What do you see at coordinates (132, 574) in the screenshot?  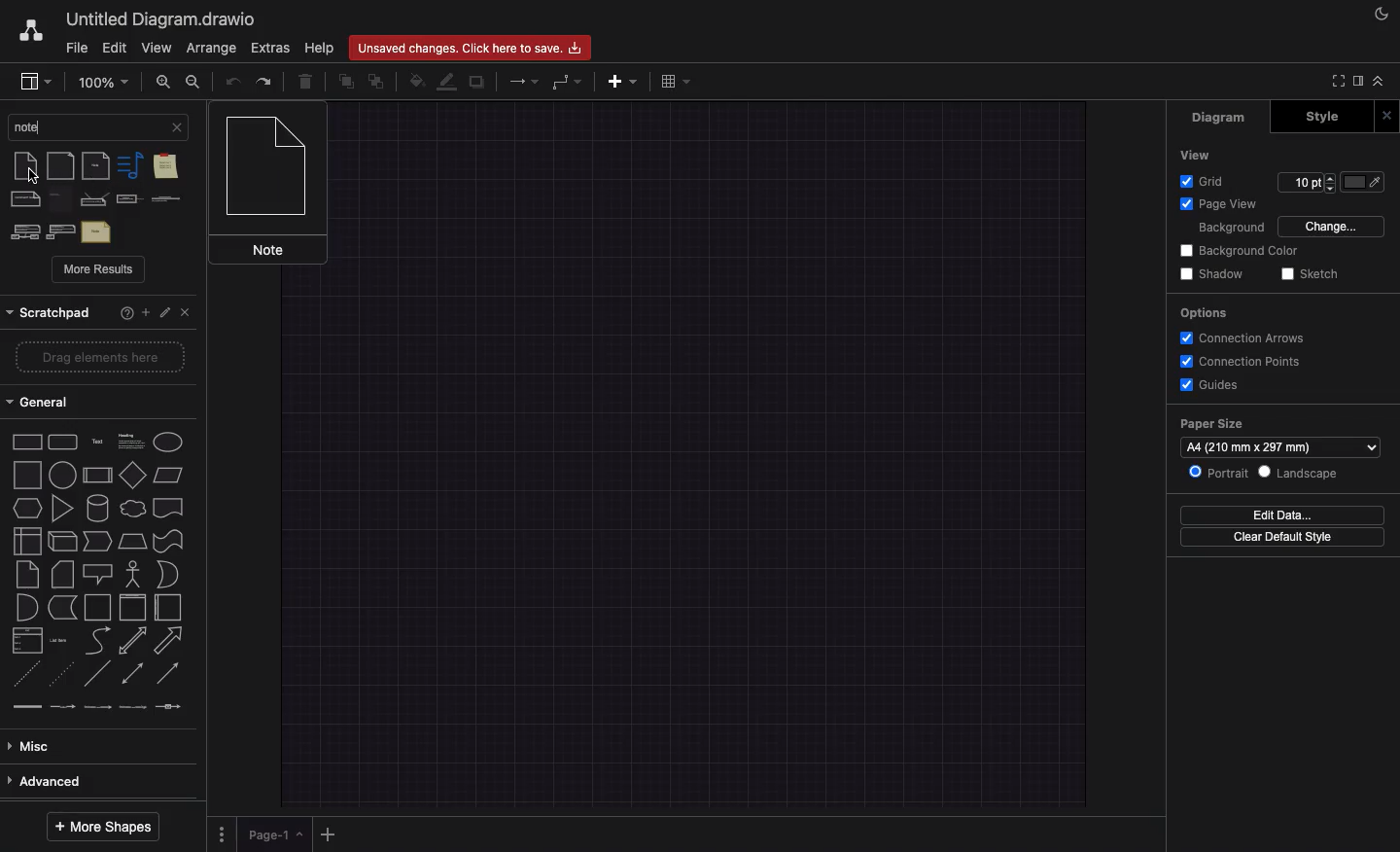 I see `actor` at bounding box center [132, 574].